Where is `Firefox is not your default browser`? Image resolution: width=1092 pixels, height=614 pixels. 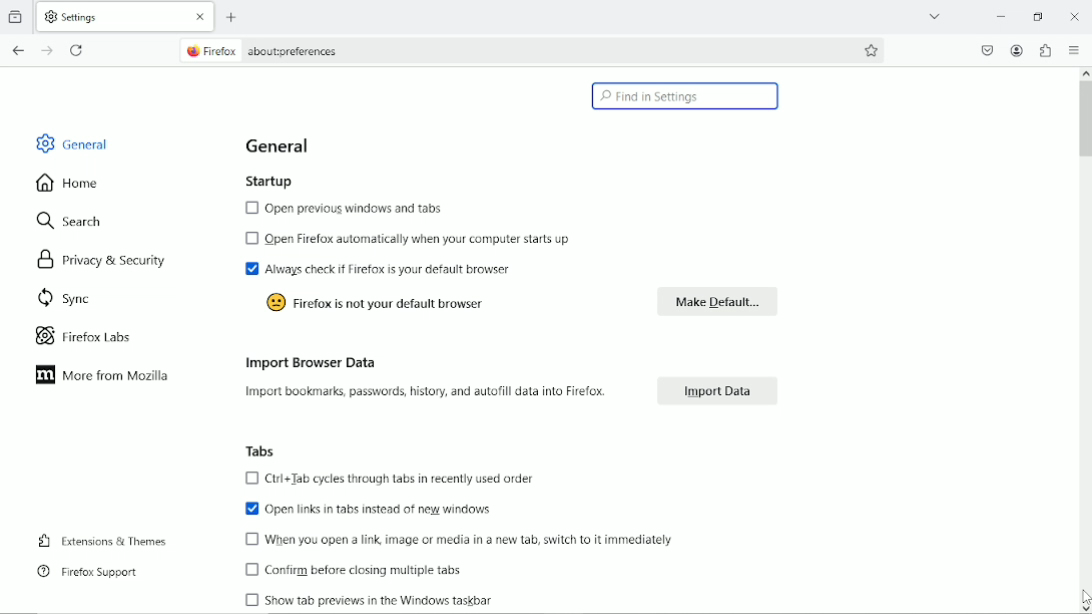 Firefox is not your default browser is located at coordinates (377, 303).